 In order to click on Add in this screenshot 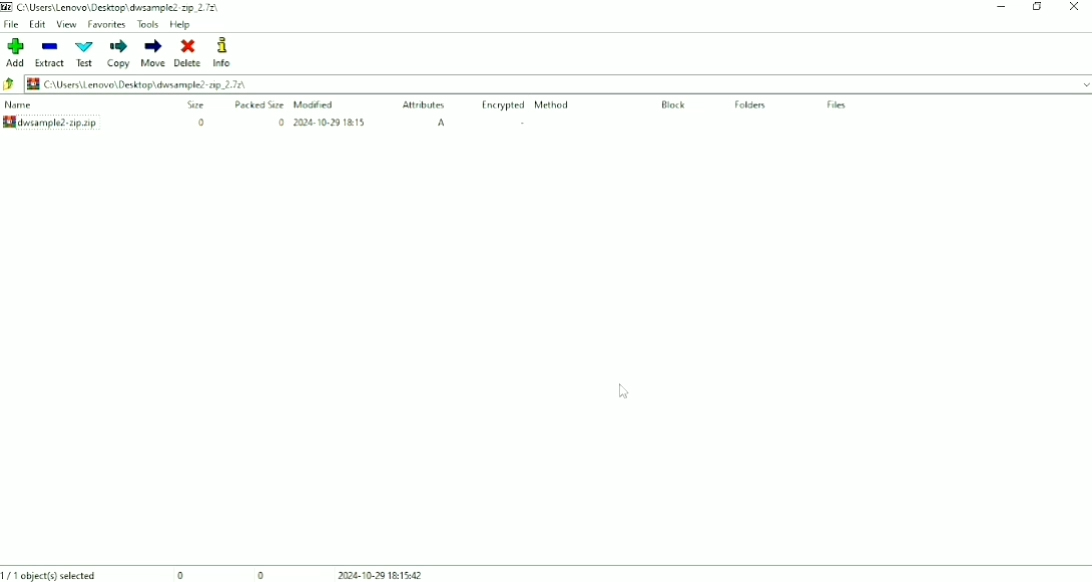, I will do `click(14, 52)`.